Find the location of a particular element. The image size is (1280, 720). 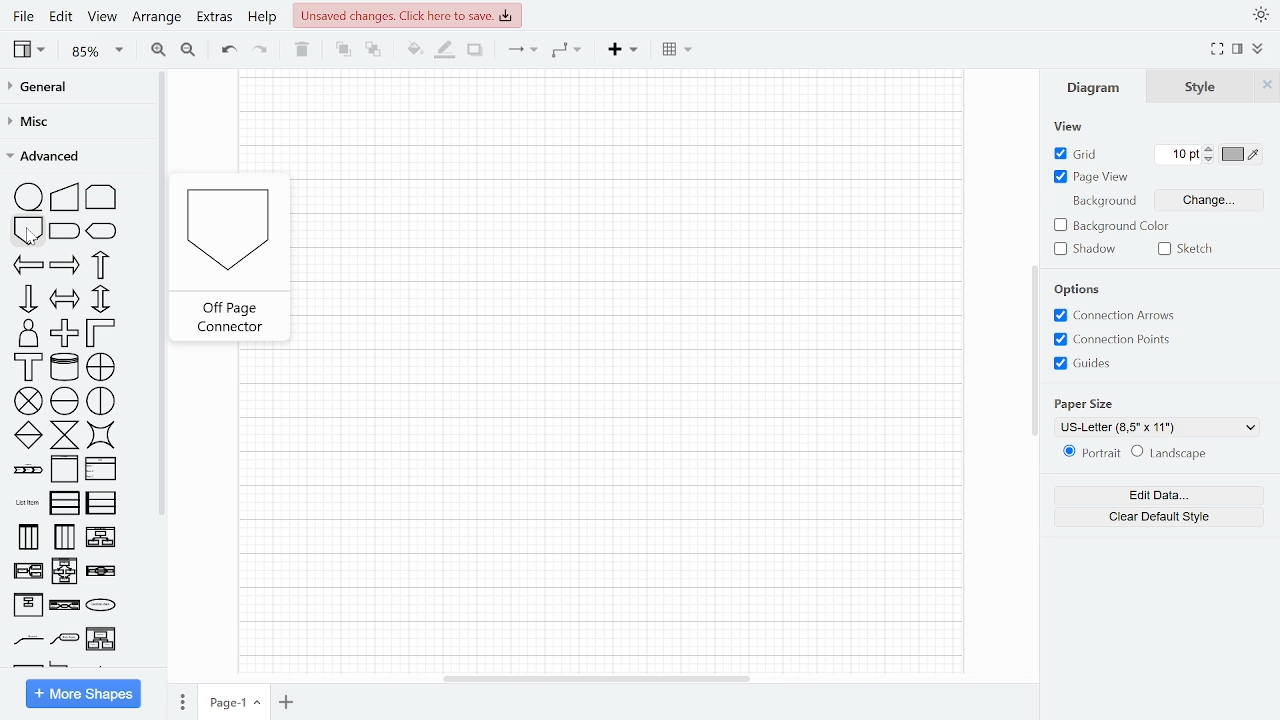

Grid color is located at coordinates (1242, 154).